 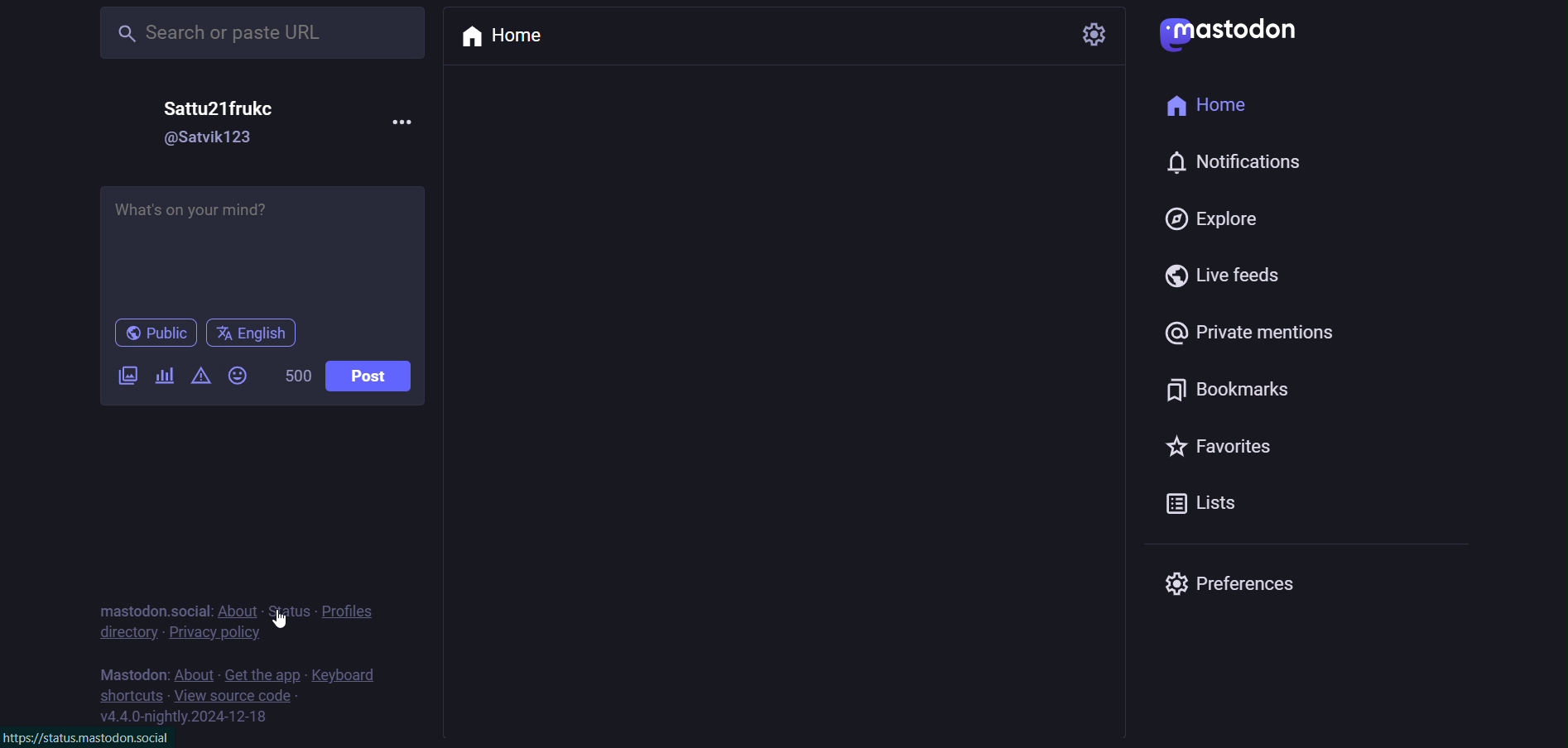 I want to click on image/video, so click(x=123, y=378).